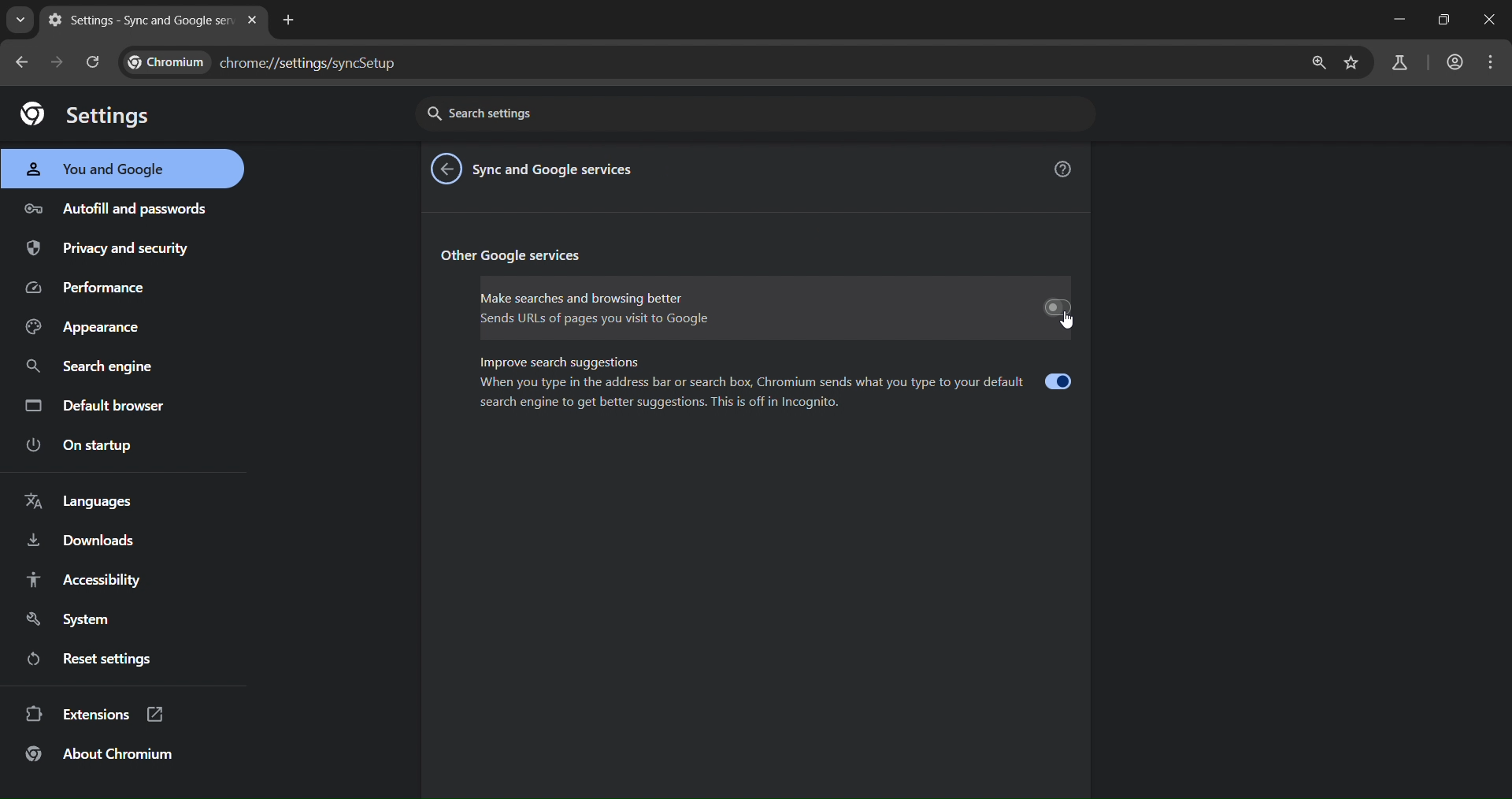 The width and height of the screenshot is (1512, 799). I want to click on downloads, so click(83, 542).